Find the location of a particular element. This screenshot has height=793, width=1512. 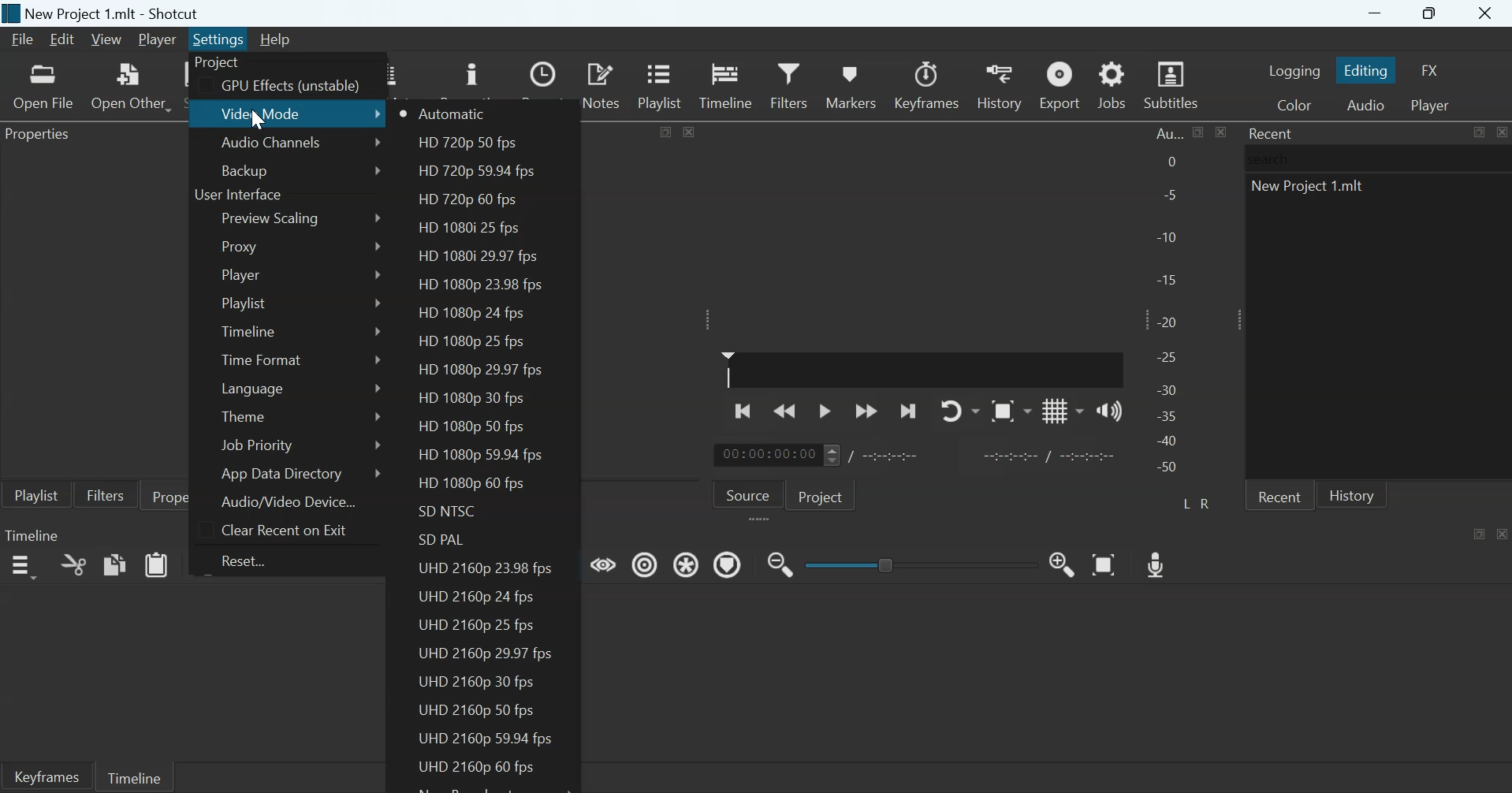

Maximize is located at coordinates (1432, 14).